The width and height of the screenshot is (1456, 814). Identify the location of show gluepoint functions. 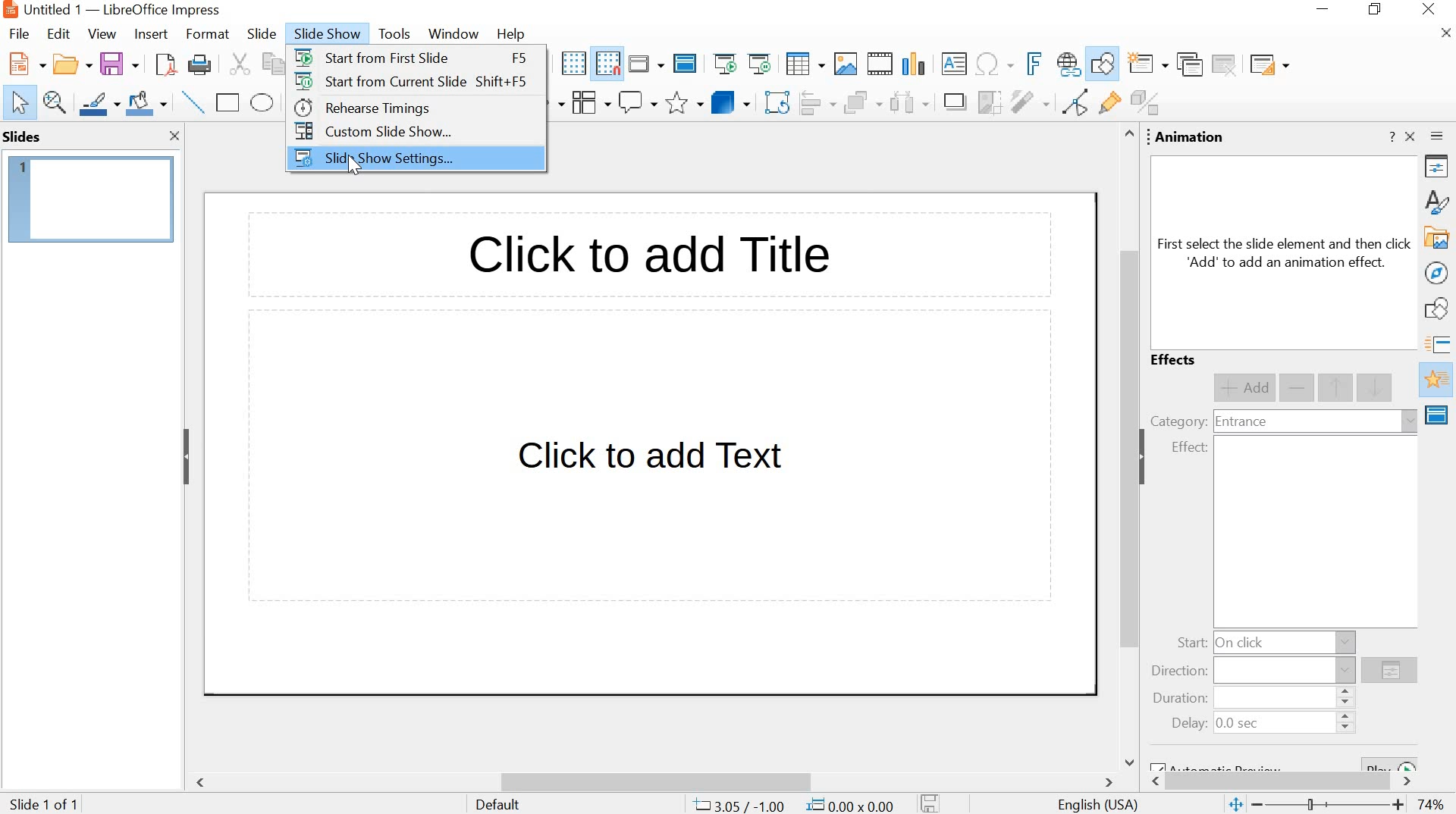
(1106, 104).